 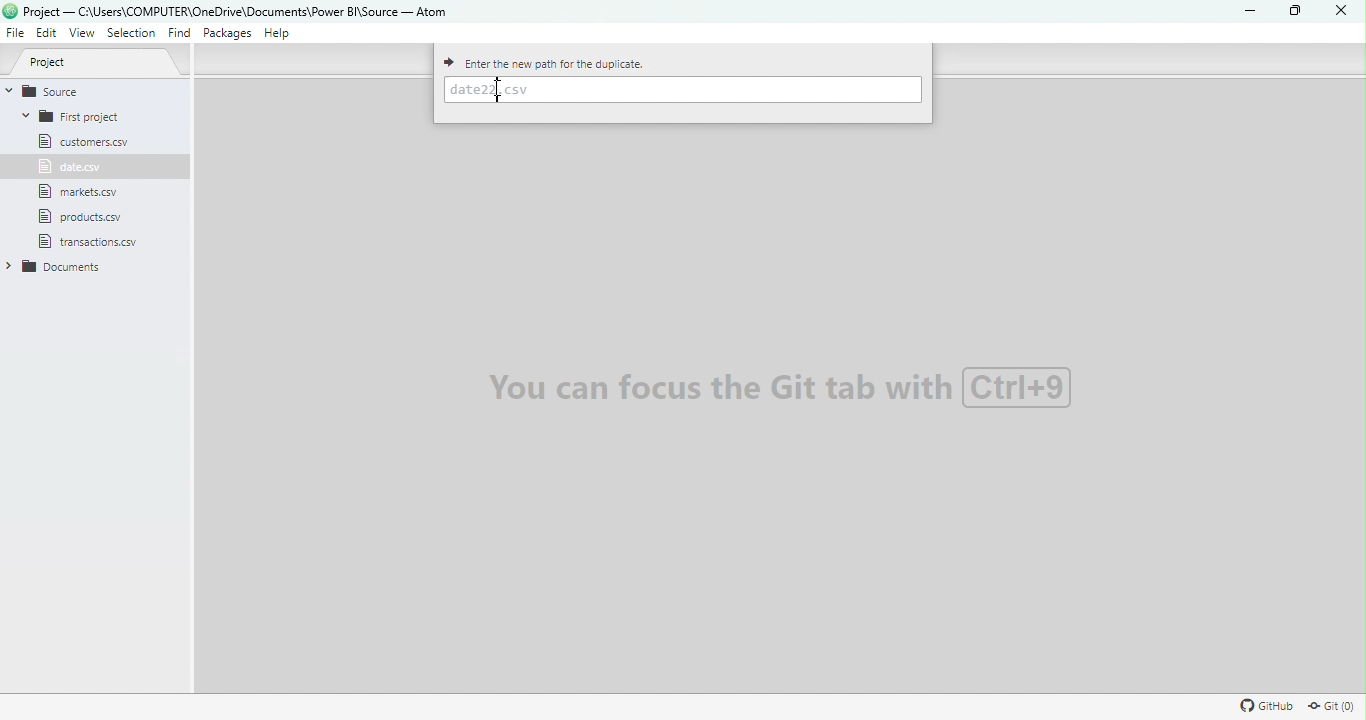 I want to click on Selection, so click(x=133, y=34).